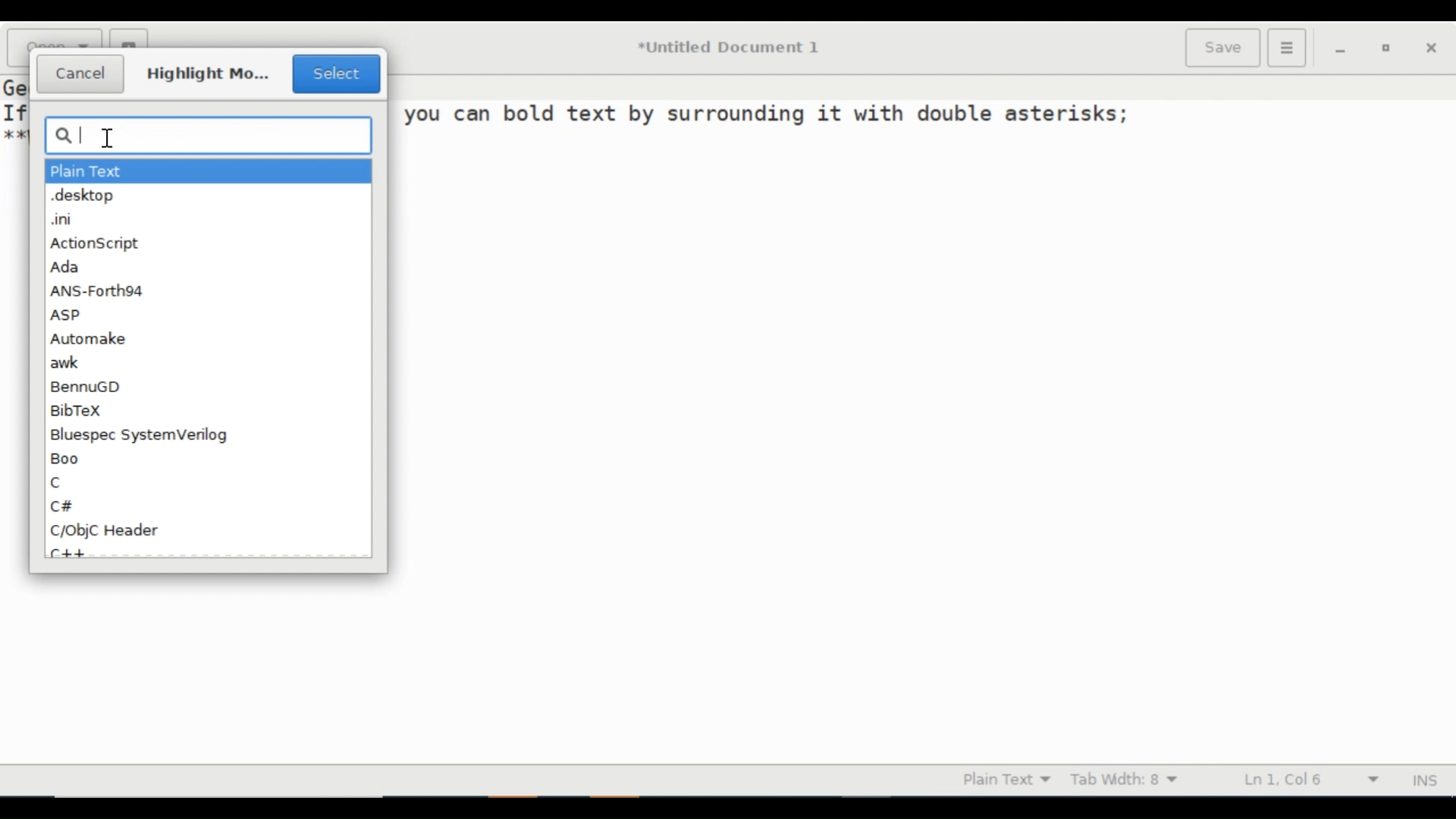 The image size is (1456, 819). Describe the element at coordinates (1285, 47) in the screenshot. I see `Application menu` at that location.